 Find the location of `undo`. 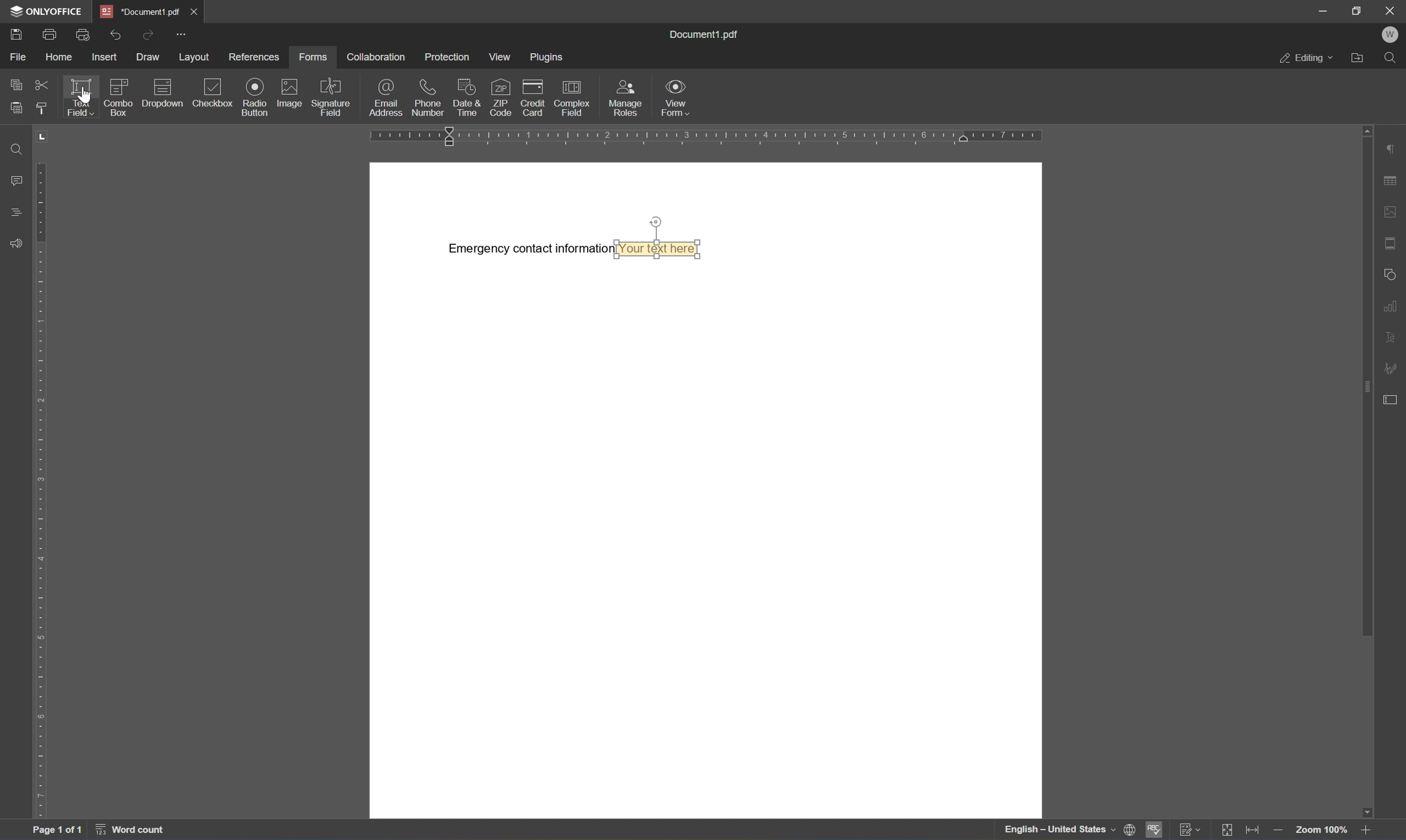

undo is located at coordinates (117, 35).